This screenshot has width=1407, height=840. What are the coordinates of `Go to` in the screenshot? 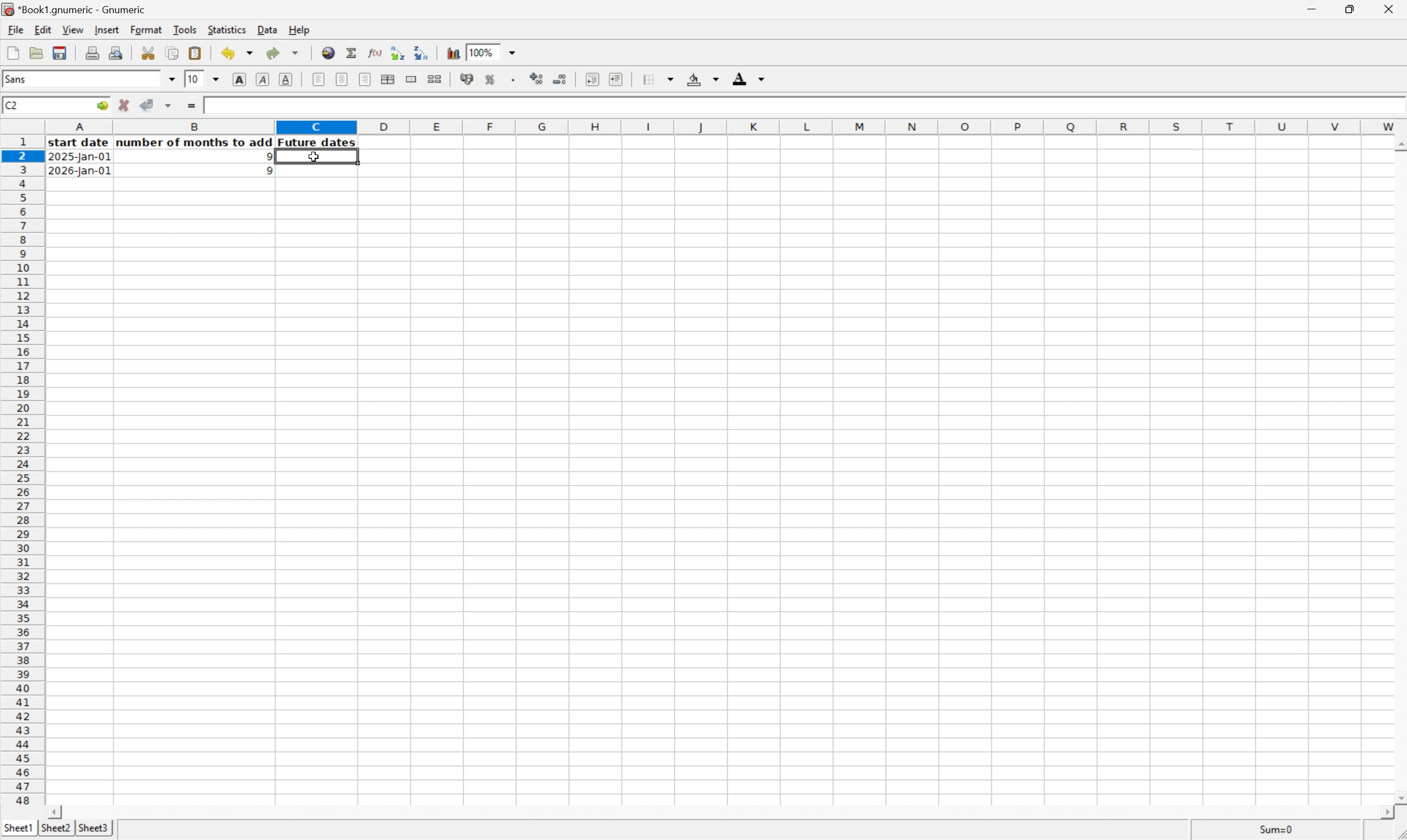 It's located at (101, 105).